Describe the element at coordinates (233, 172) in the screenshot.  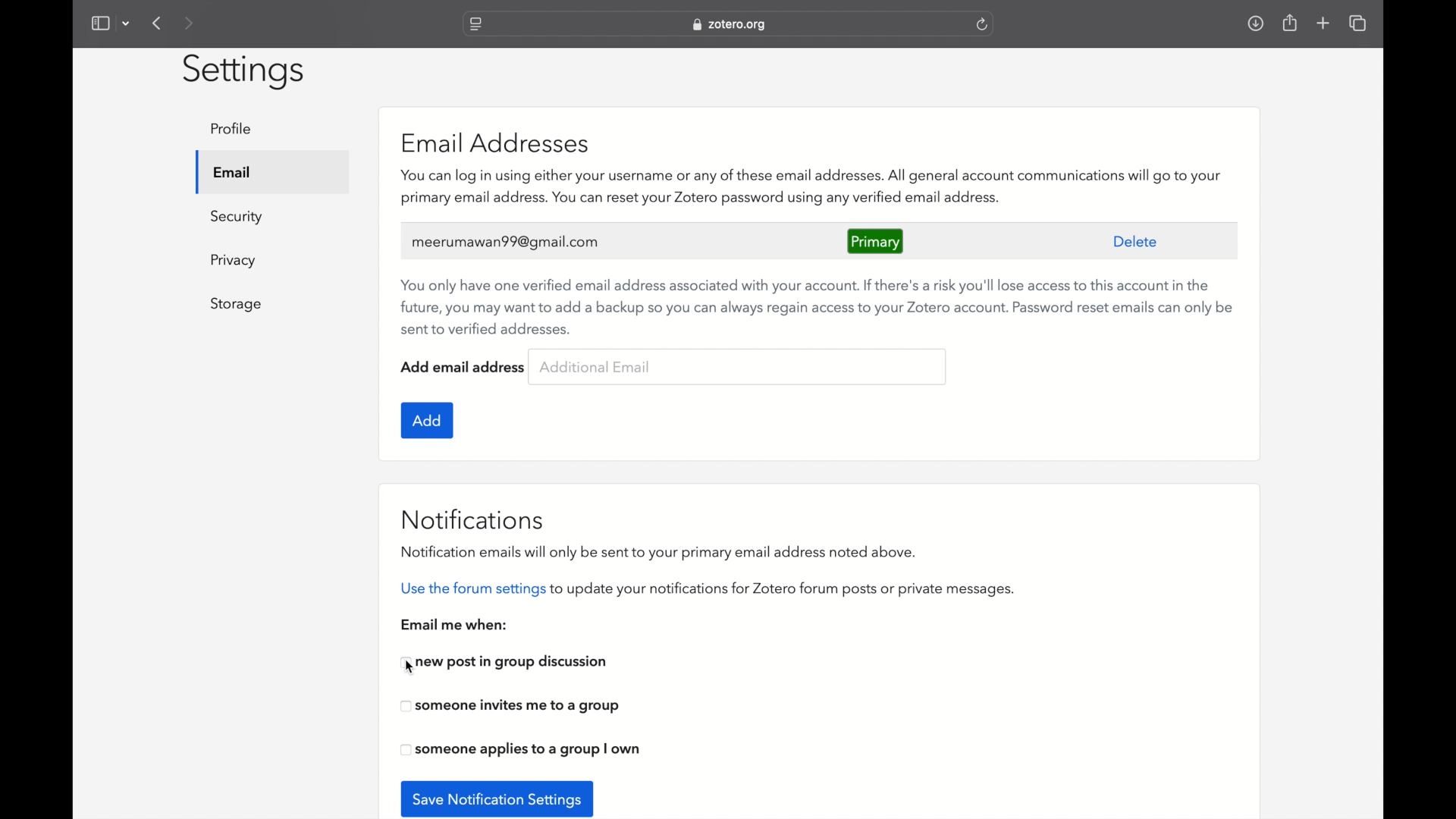
I see `email` at that location.